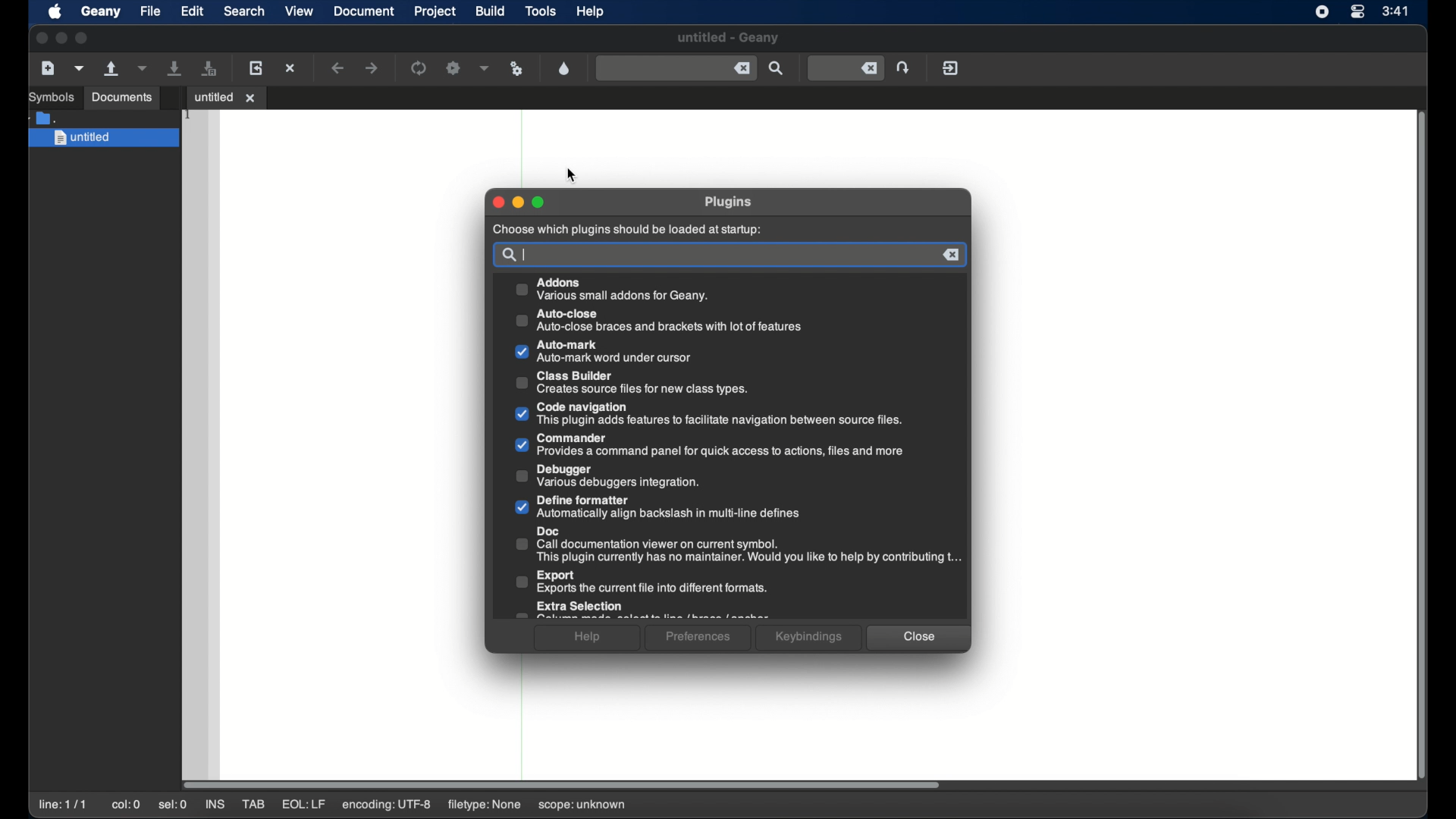 The height and width of the screenshot is (819, 1456). I want to click on load the current file from disk, so click(256, 69).